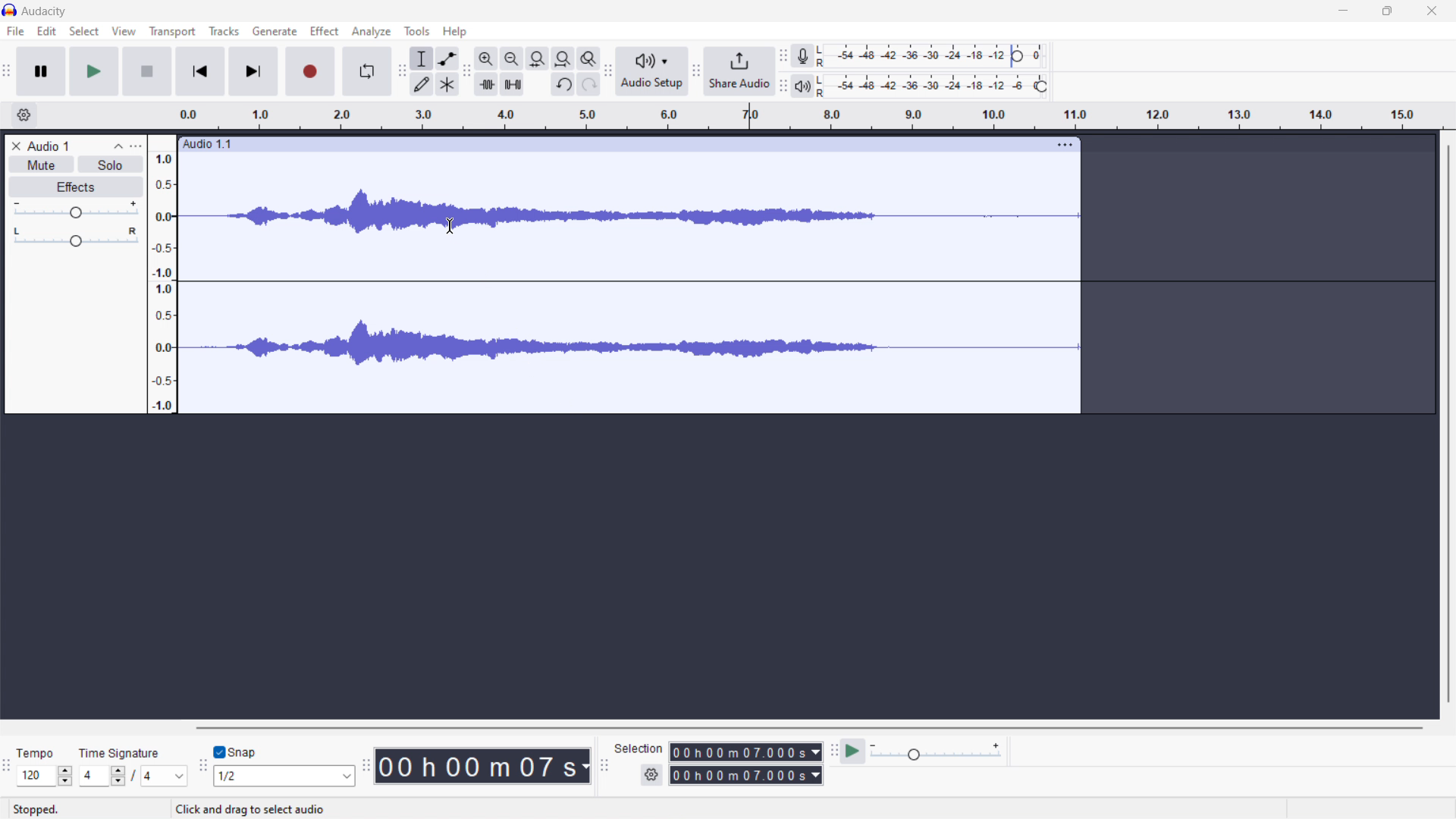 The height and width of the screenshot is (819, 1456). What do you see at coordinates (286, 777) in the screenshot?
I see `1/2` at bounding box center [286, 777].